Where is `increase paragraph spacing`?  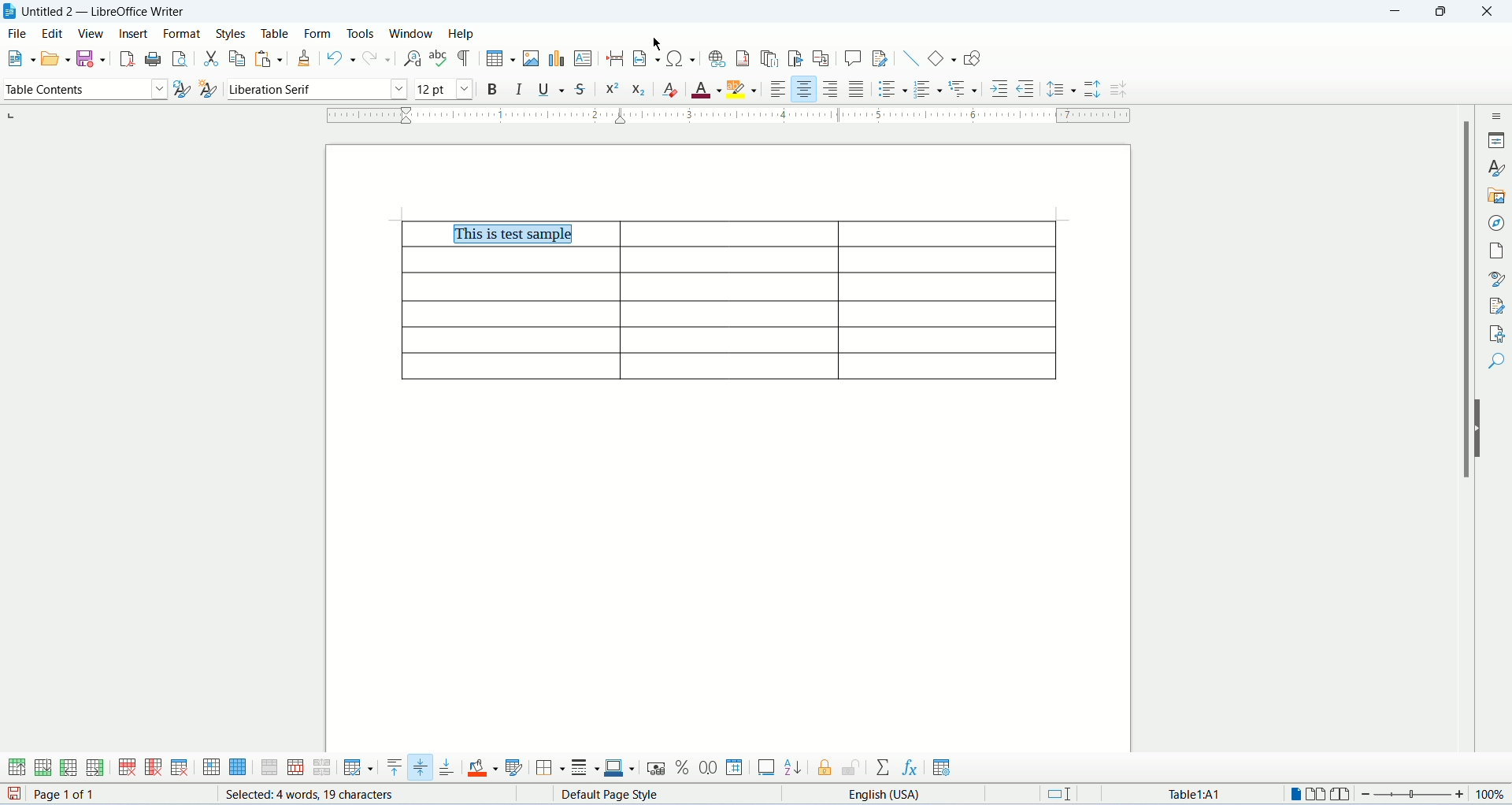 increase paragraph spacing is located at coordinates (1094, 90).